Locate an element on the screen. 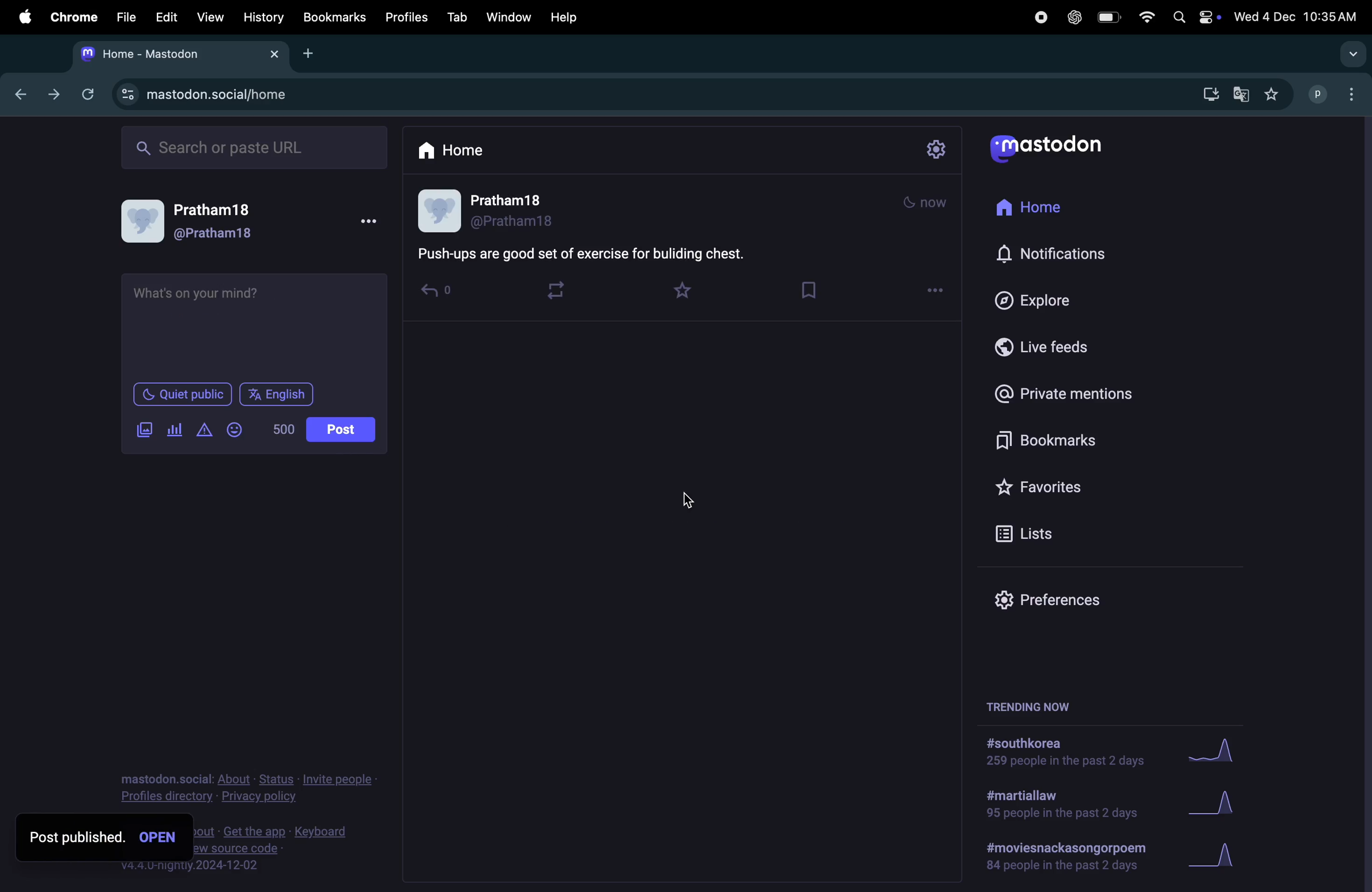 The image size is (1372, 892). cursor is located at coordinates (692, 501).